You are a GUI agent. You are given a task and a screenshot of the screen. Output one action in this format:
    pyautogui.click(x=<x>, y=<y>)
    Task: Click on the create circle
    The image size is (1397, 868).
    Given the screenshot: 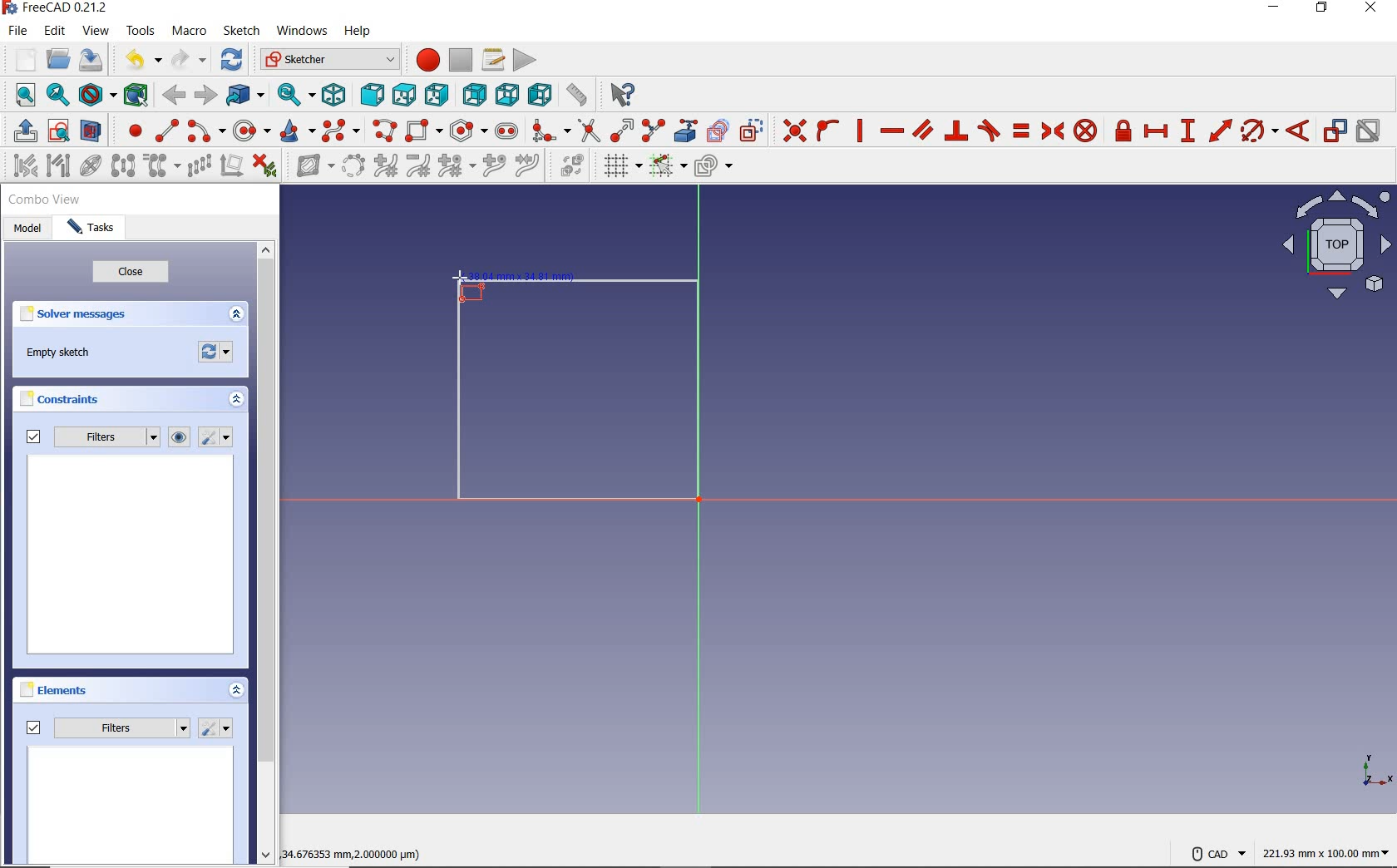 What is the action you would take?
    pyautogui.click(x=251, y=132)
    